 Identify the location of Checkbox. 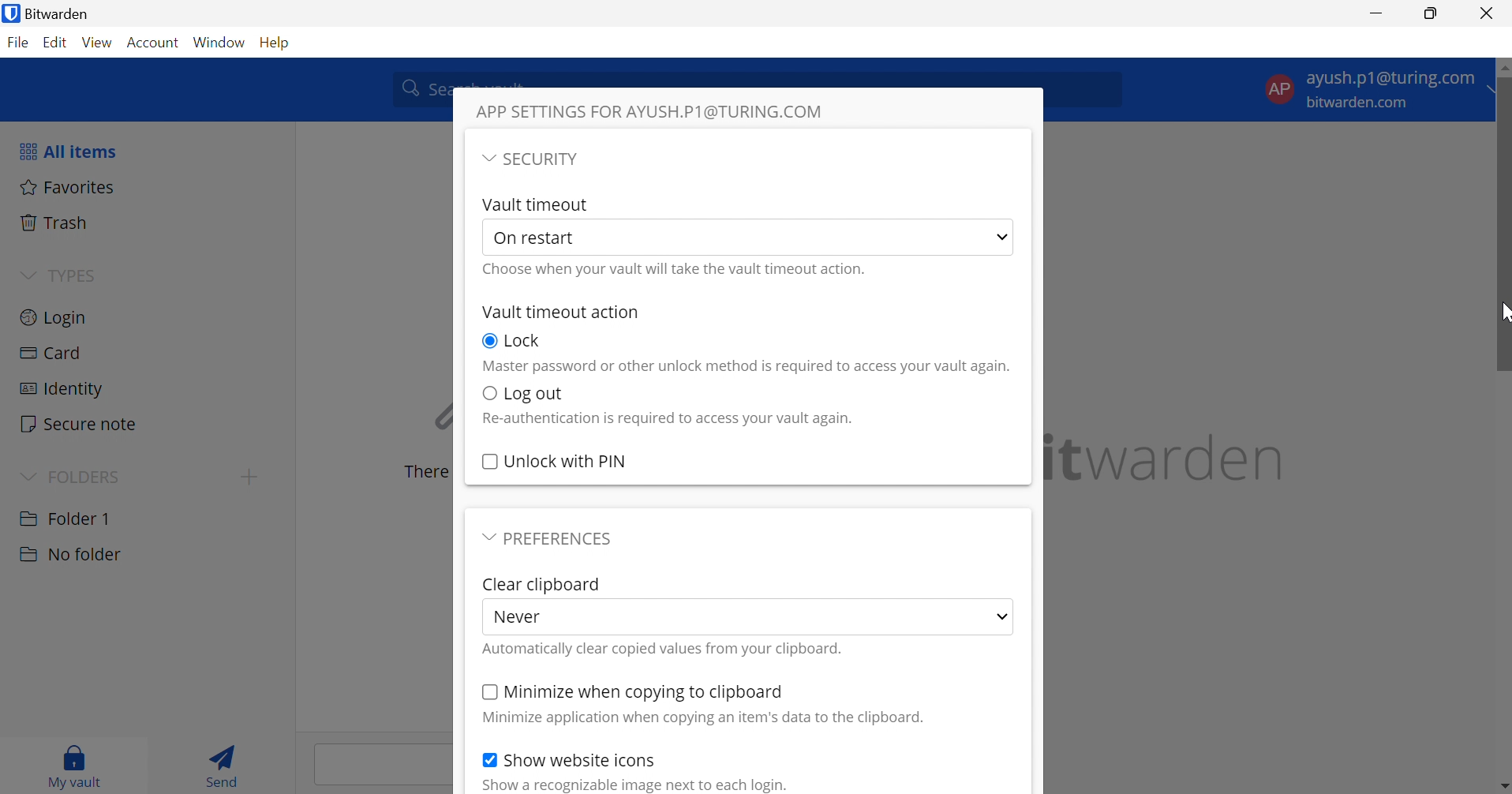
(487, 691).